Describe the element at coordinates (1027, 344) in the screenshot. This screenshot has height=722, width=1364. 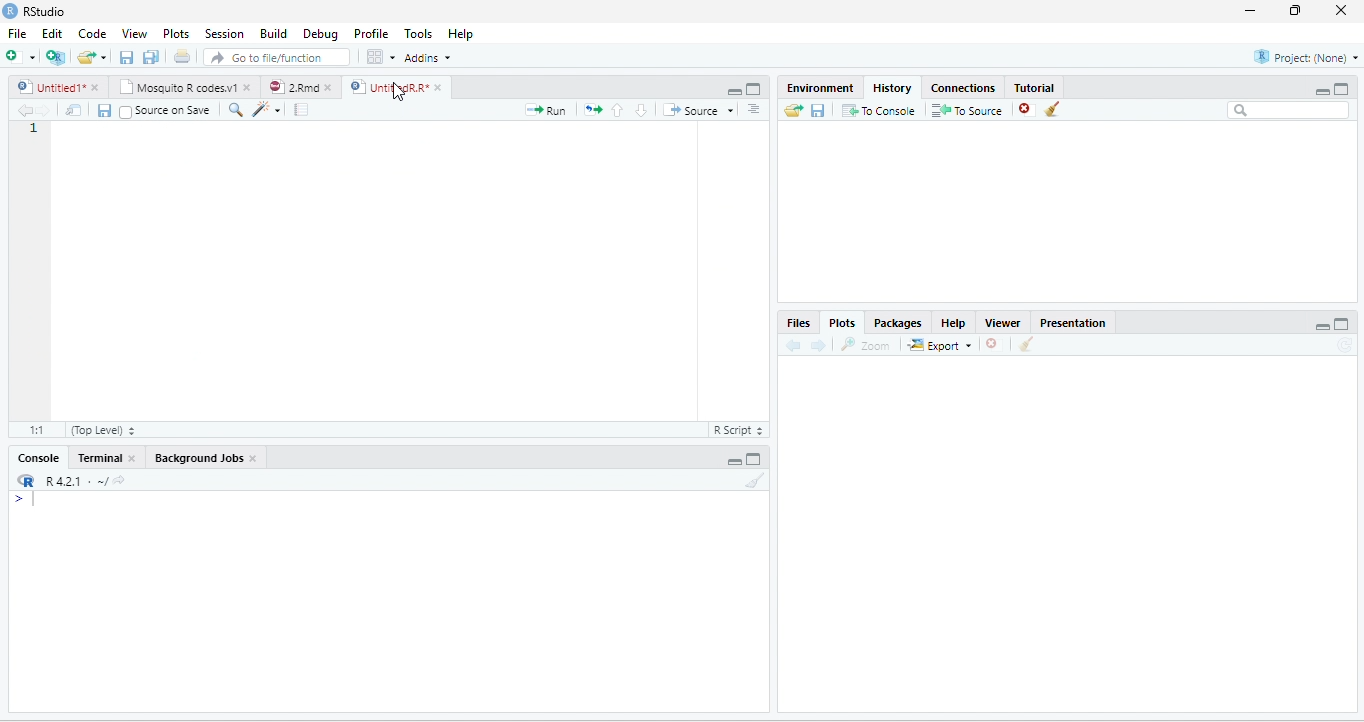
I see `Clear all plots` at that location.